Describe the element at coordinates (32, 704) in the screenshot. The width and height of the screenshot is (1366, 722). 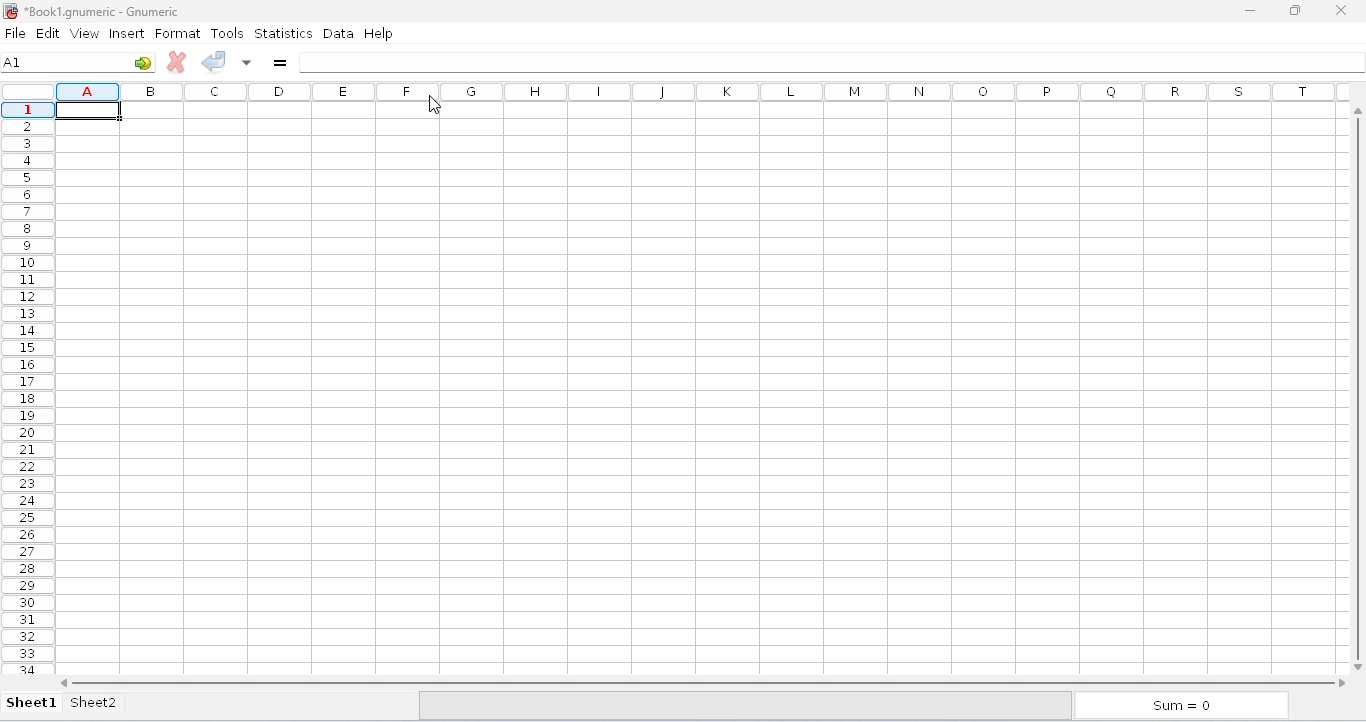
I see `sheet1` at that location.